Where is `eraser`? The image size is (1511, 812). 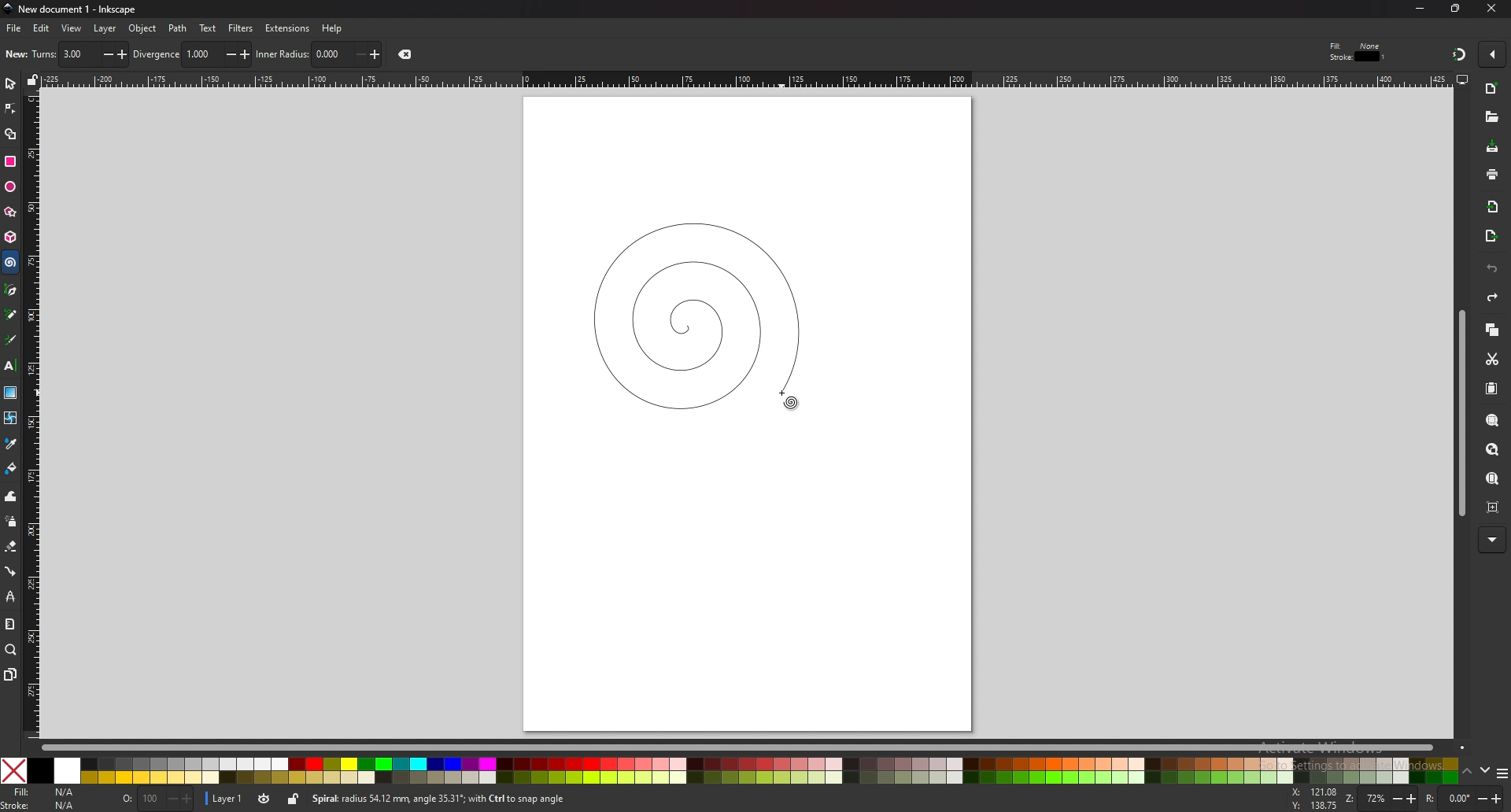 eraser is located at coordinates (11, 547).